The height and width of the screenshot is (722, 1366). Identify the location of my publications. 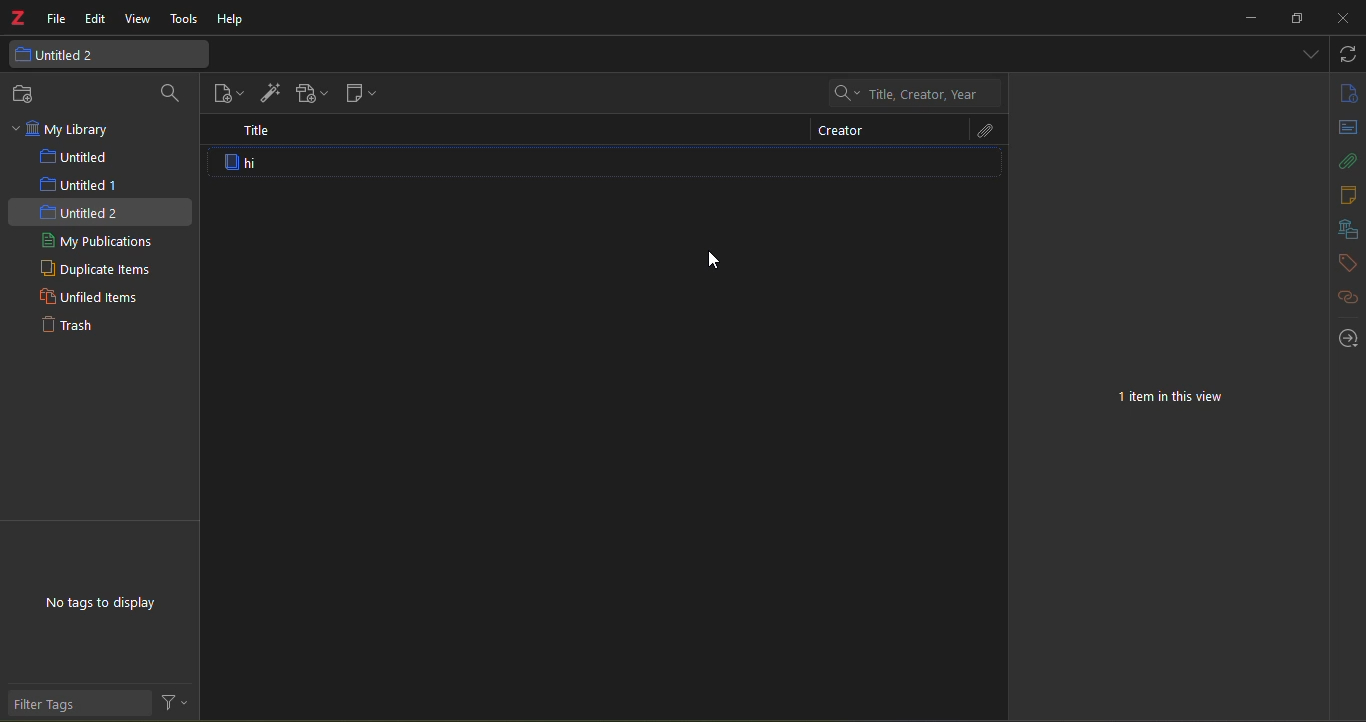
(96, 240).